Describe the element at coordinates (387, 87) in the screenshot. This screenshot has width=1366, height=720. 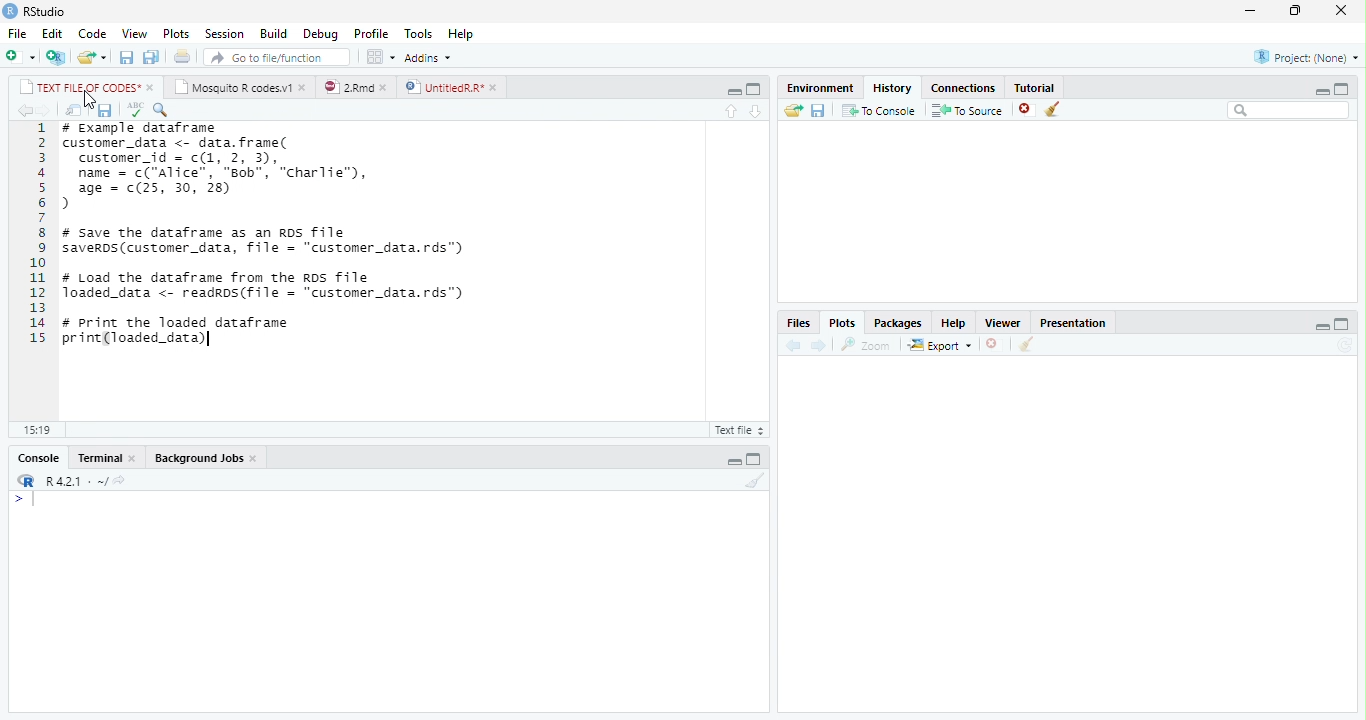
I see `close` at that location.